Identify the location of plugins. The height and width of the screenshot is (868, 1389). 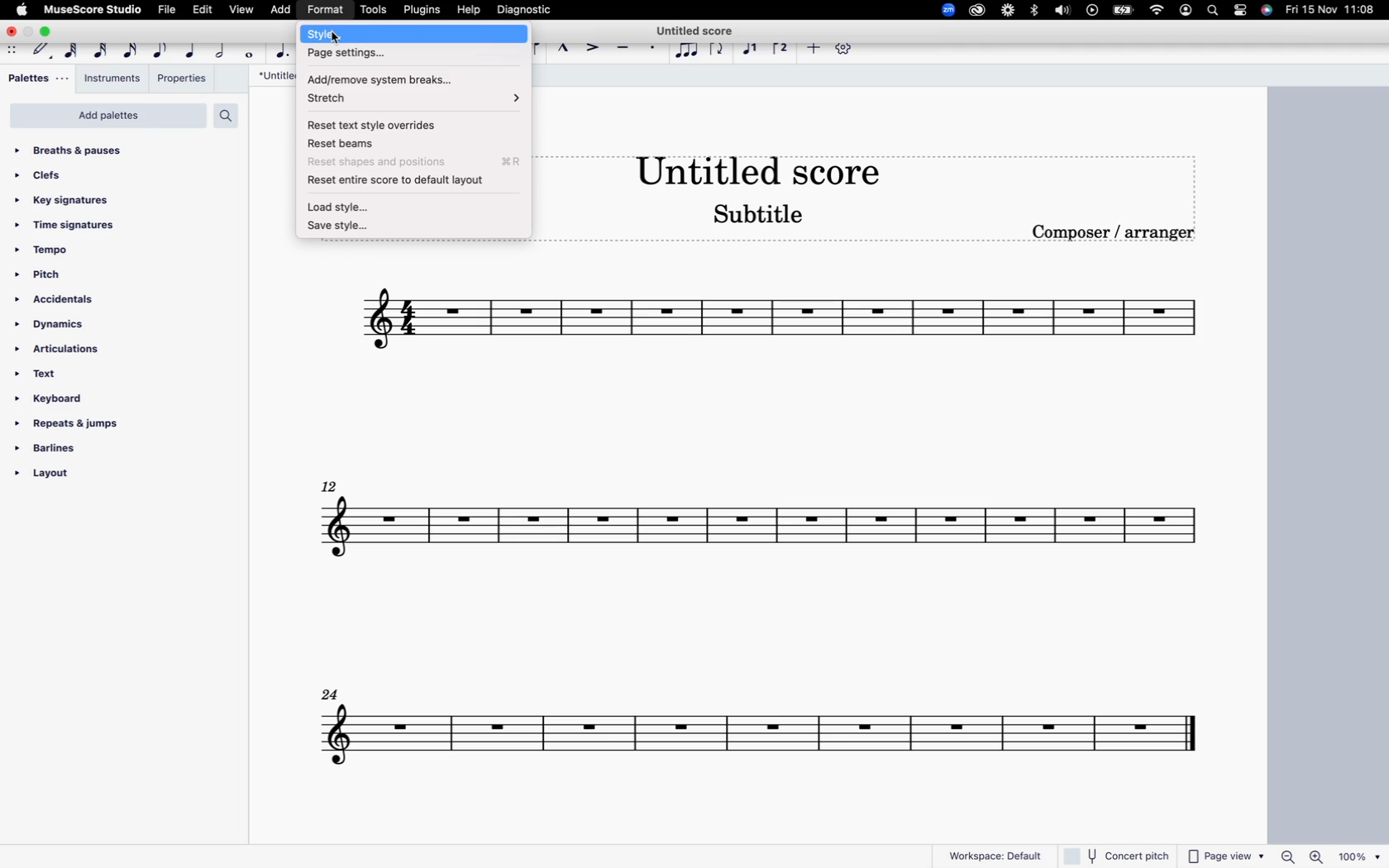
(422, 11).